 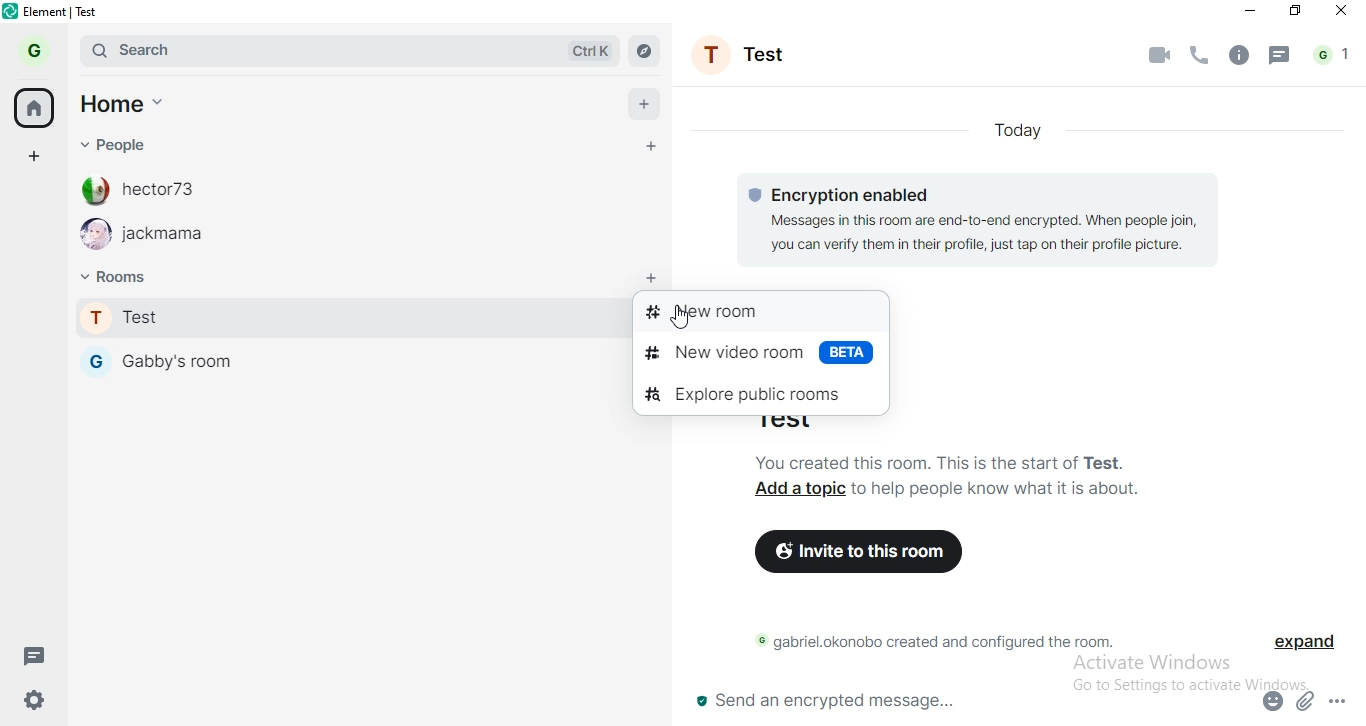 I want to click on home, so click(x=34, y=104).